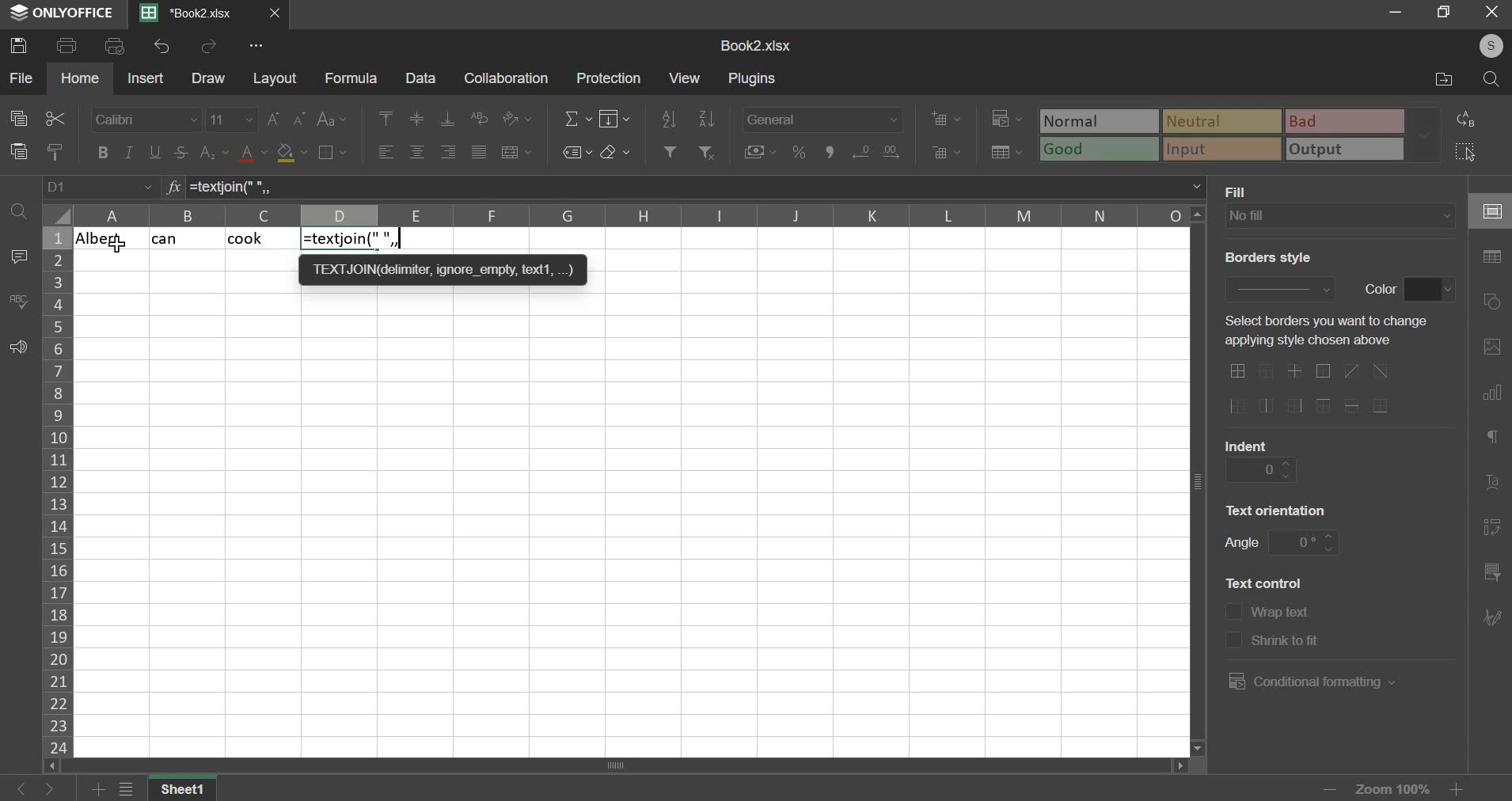 This screenshot has height=801, width=1512. What do you see at coordinates (1309, 681) in the screenshot?
I see `conditional formatting` at bounding box center [1309, 681].